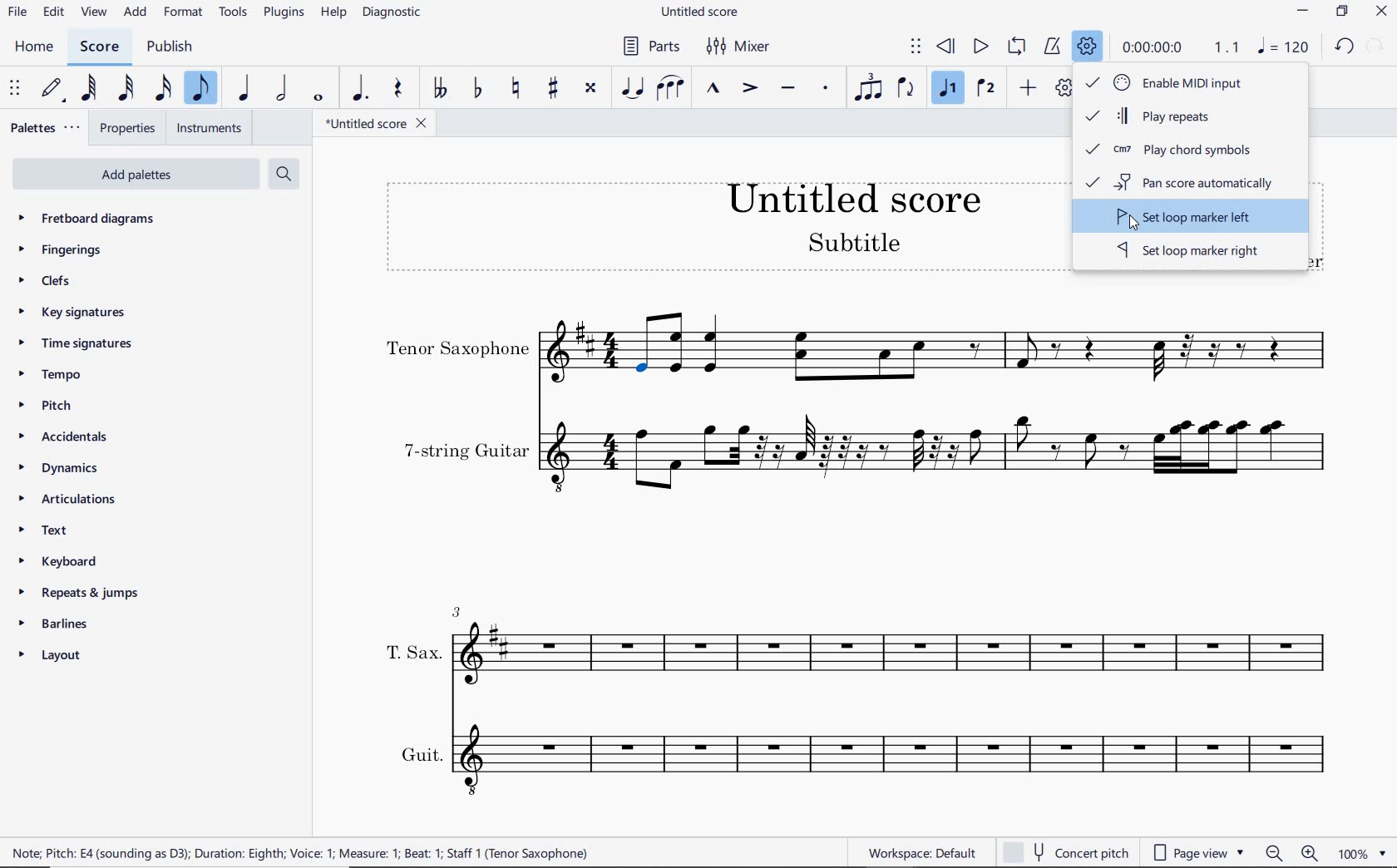 Image resolution: width=1397 pixels, height=868 pixels. What do you see at coordinates (60, 439) in the screenshot?
I see `ACCIDENTALS` at bounding box center [60, 439].